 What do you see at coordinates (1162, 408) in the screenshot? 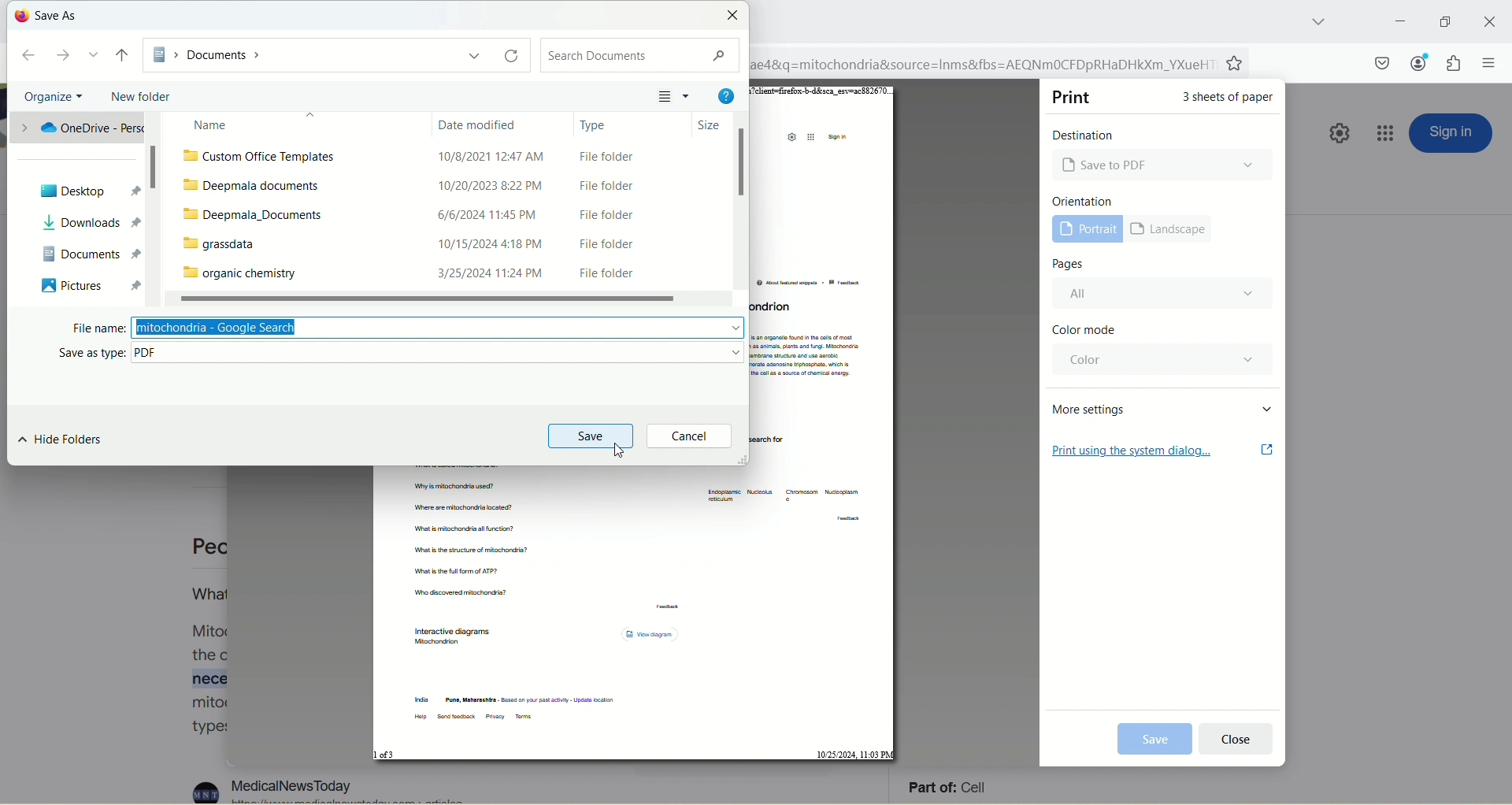
I see `more settings` at bounding box center [1162, 408].